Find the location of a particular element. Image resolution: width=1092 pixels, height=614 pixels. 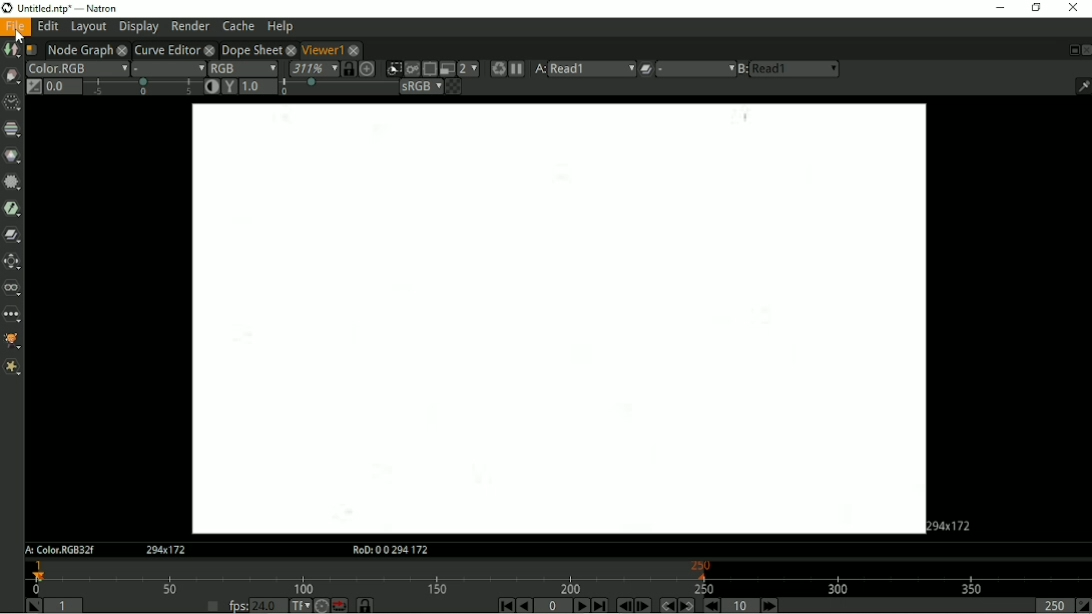

Switch between "neutral" 1.0 gain f-stop and the previous setting is located at coordinates (34, 86).